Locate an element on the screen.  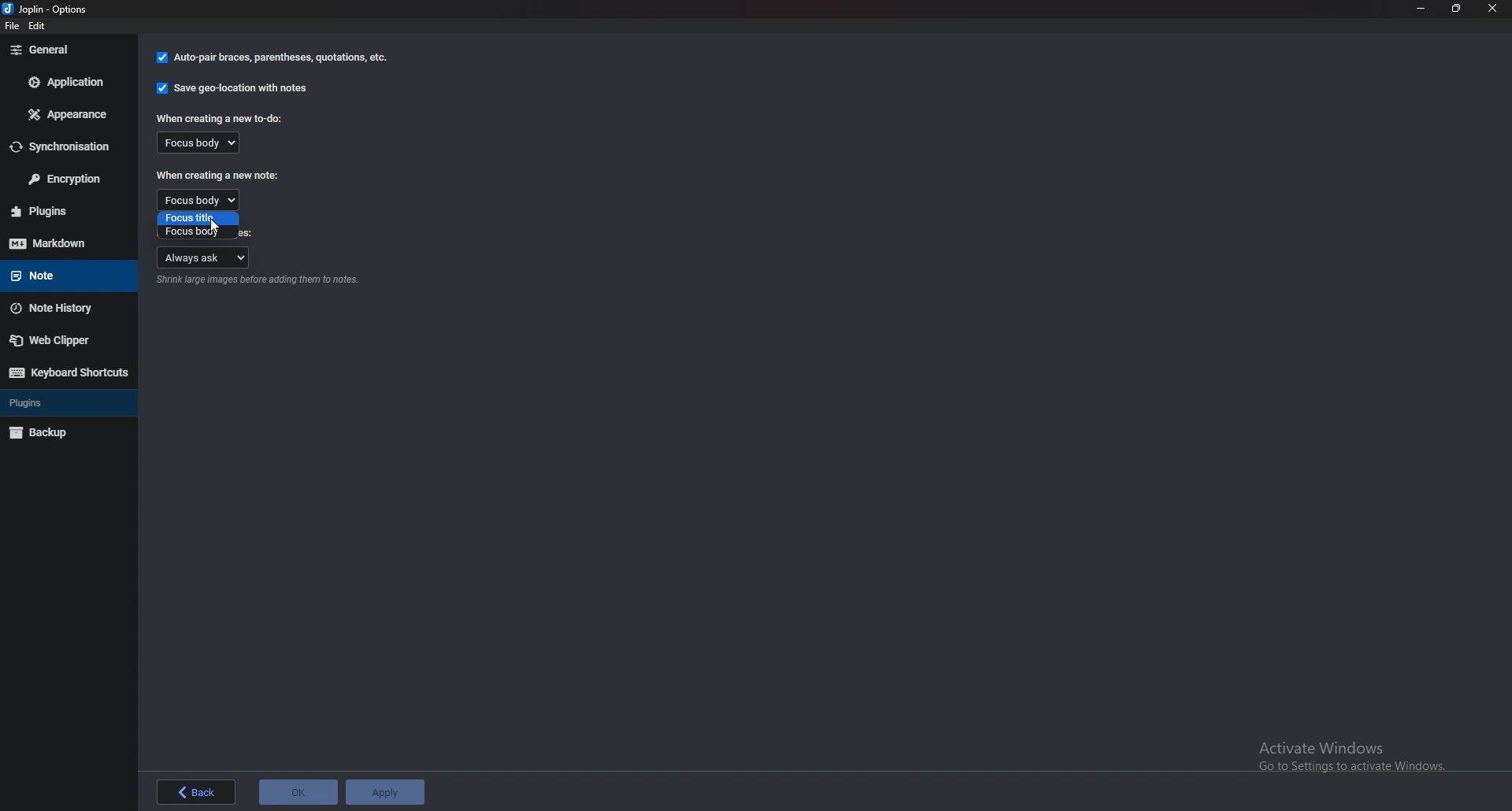
Always ask is located at coordinates (205, 257).